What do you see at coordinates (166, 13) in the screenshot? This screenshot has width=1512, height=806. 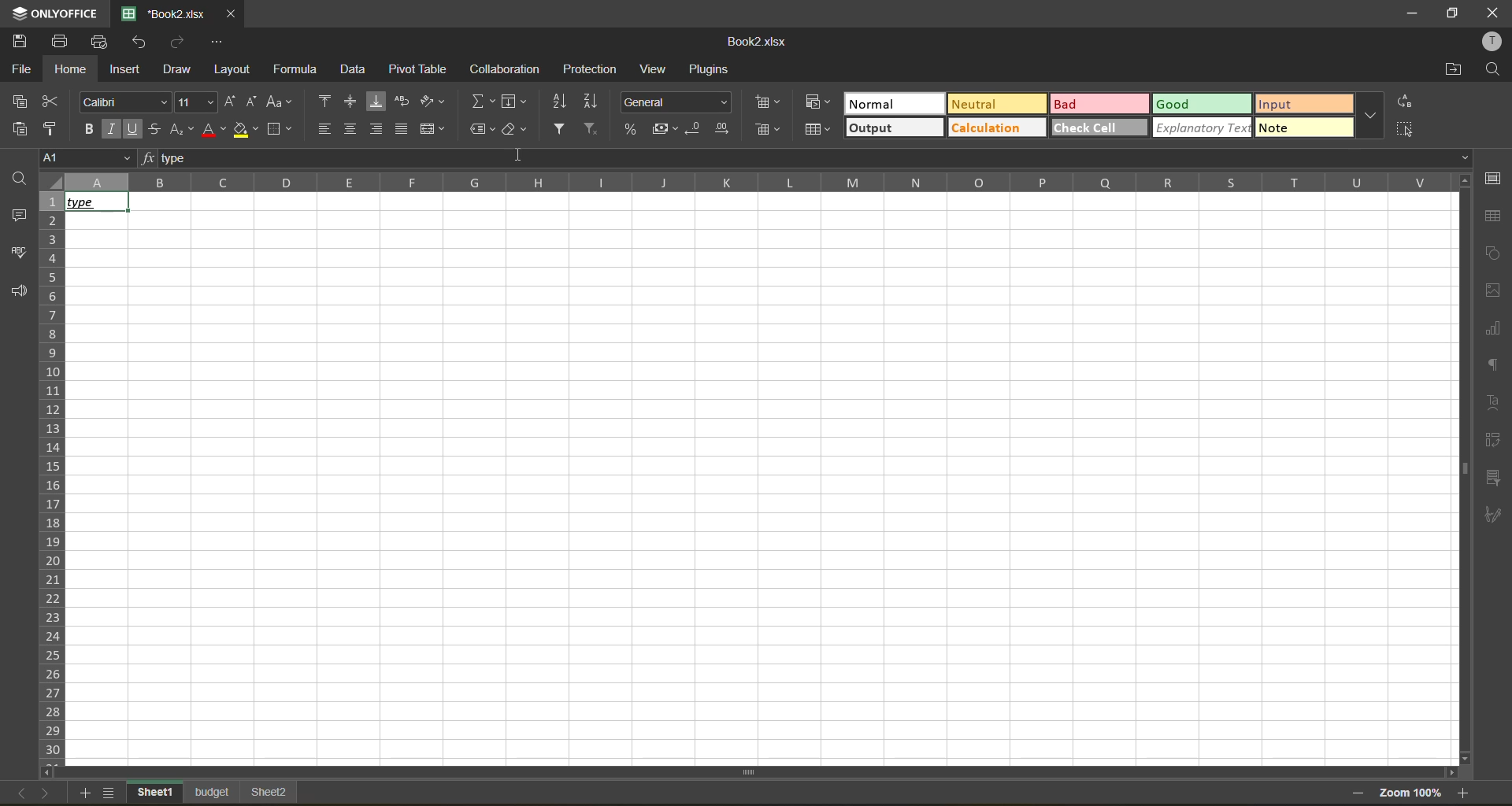 I see `Book2.xlsx` at bounding box center [166, 13].